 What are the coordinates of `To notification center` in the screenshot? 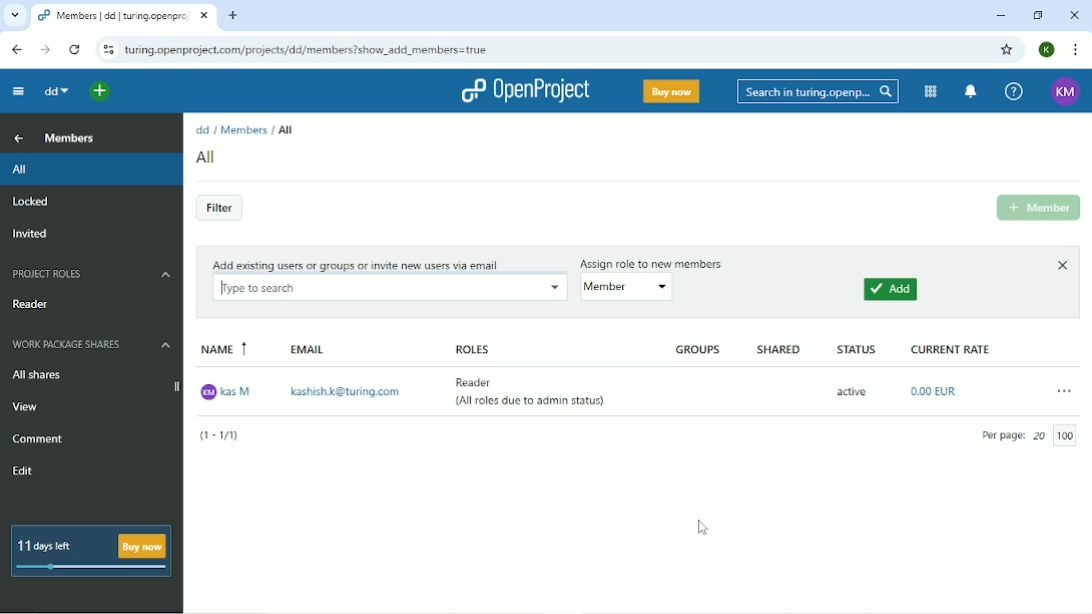 It's located at (969, 92).